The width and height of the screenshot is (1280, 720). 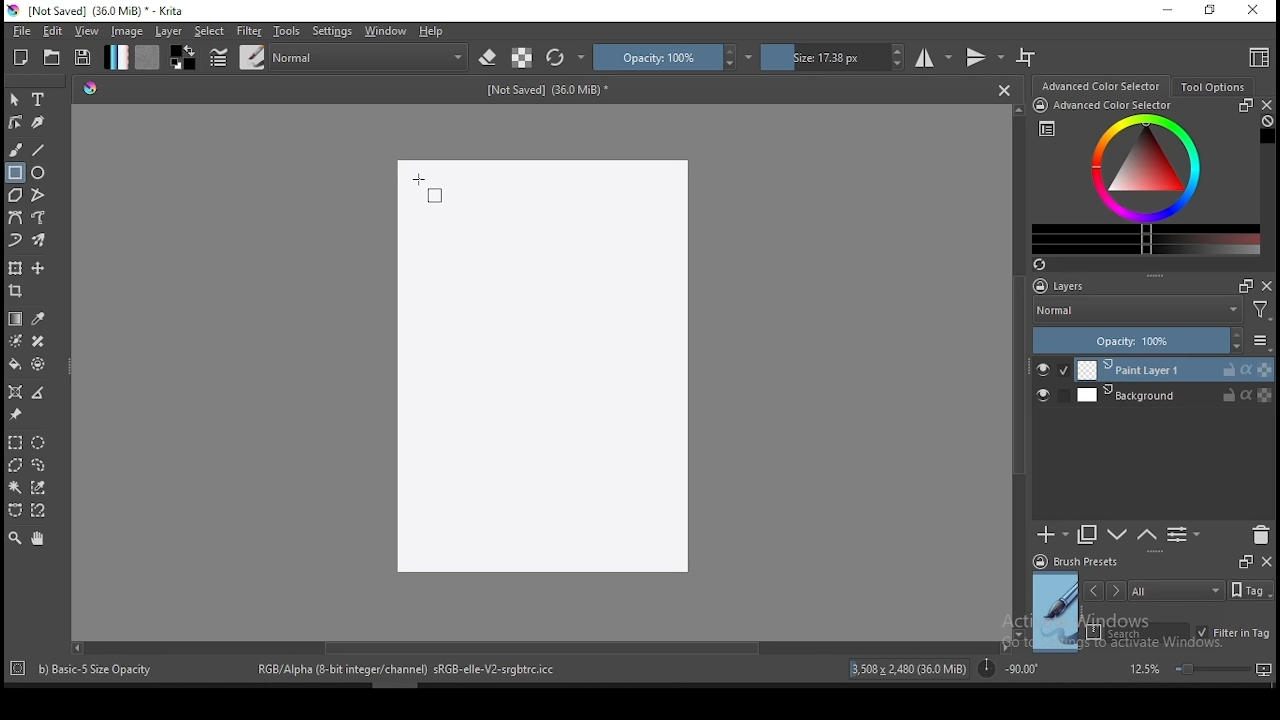 I want to click on select, so click(x=210, y=31).